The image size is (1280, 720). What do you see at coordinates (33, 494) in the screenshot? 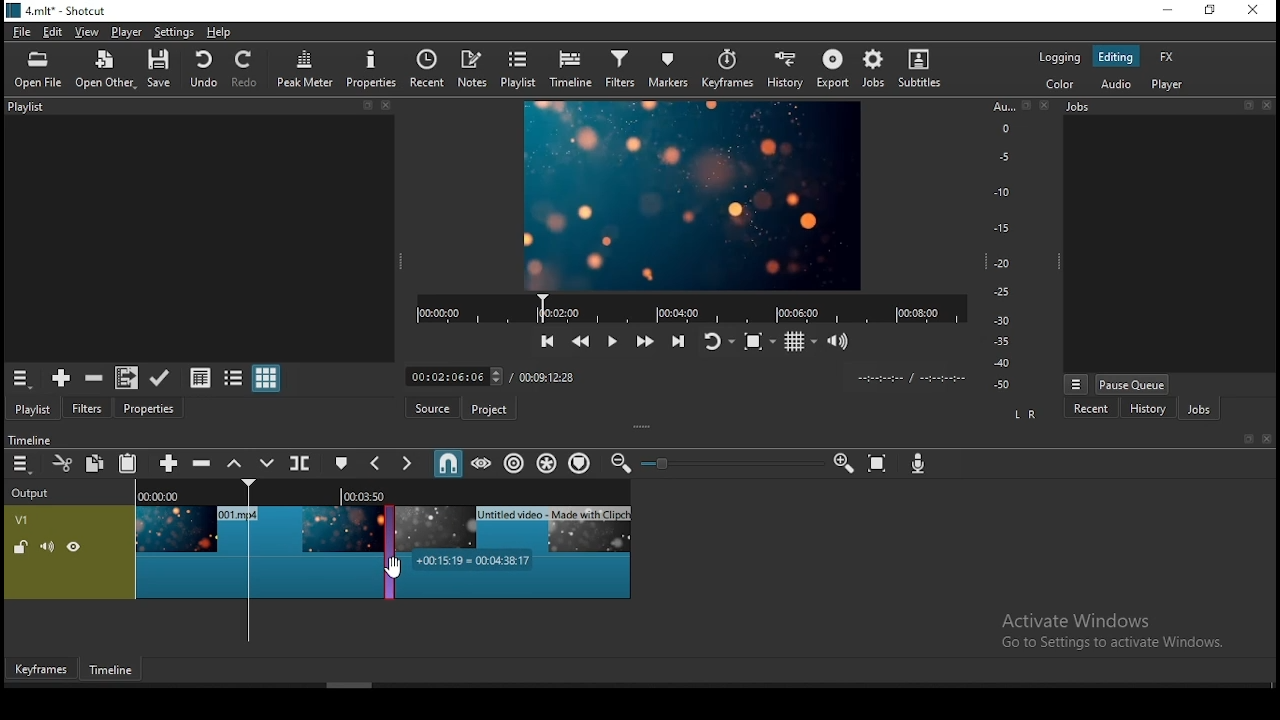
I see `output` at bounding box center [33, 494].